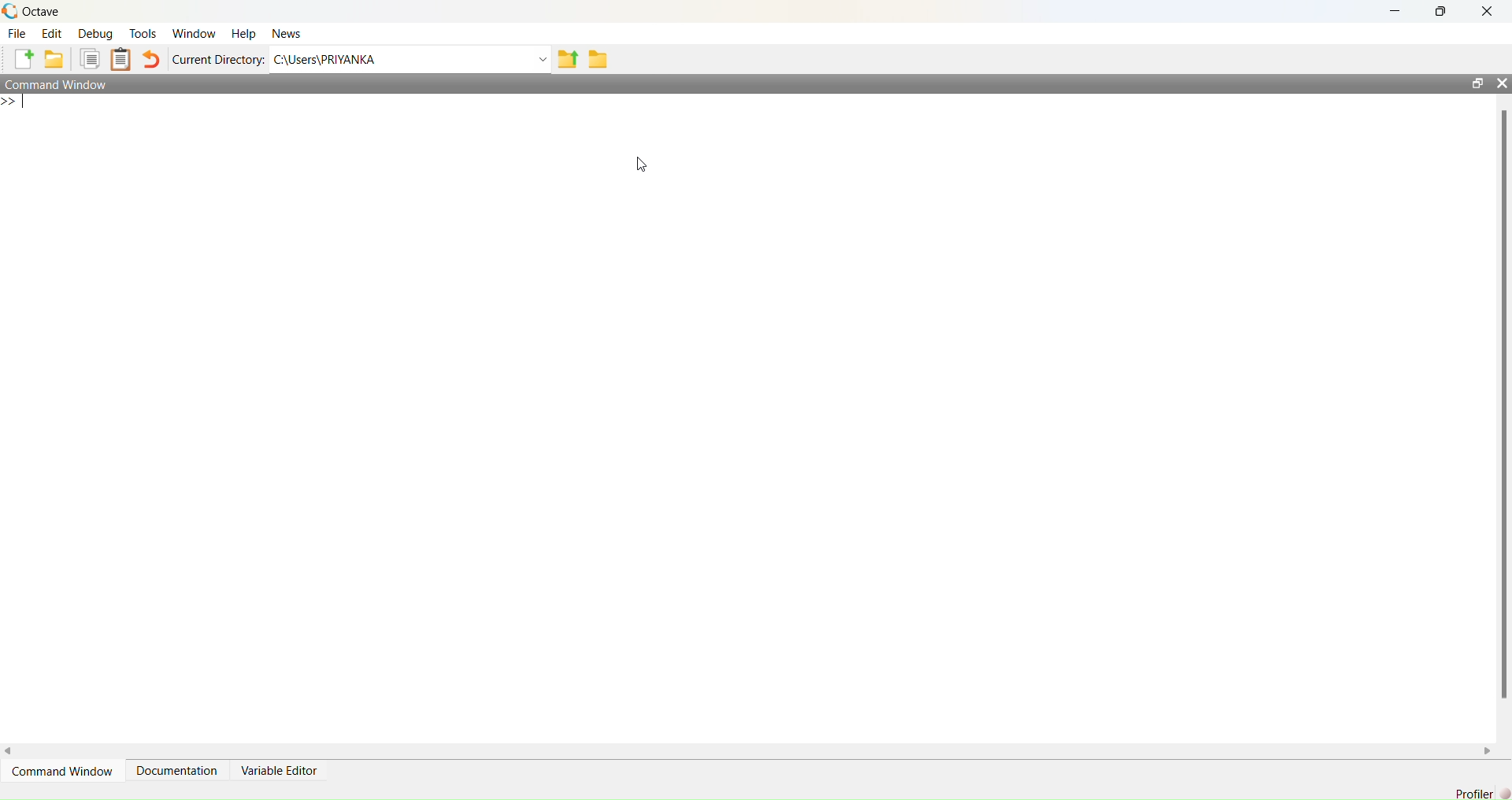 The width and height of the screenshot is (1512, 800). What do you see at coordinates (180, 770) in the screenshot?
I see `Documentation` at bounding box center [180, 770].